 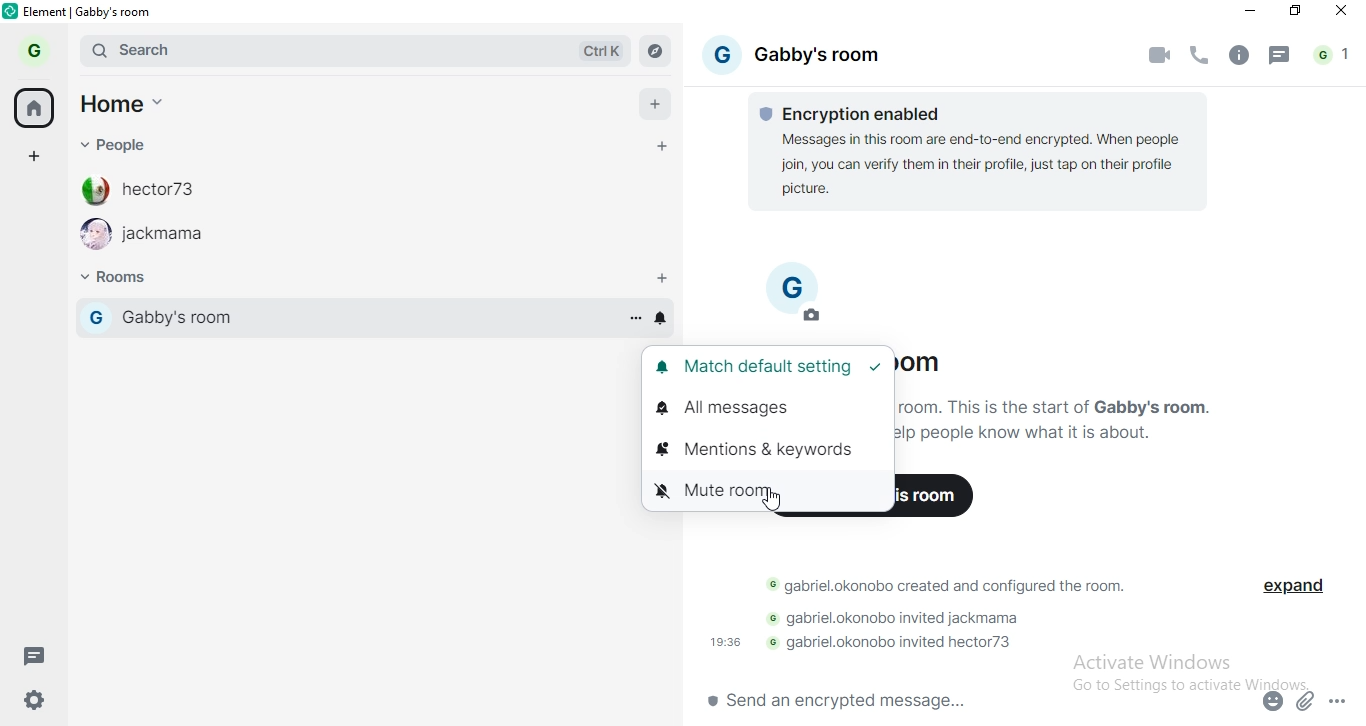 What do you see at coordinates (664, 279) in the screenshot?
I see `add rooms` at bounding box center [664, 279].